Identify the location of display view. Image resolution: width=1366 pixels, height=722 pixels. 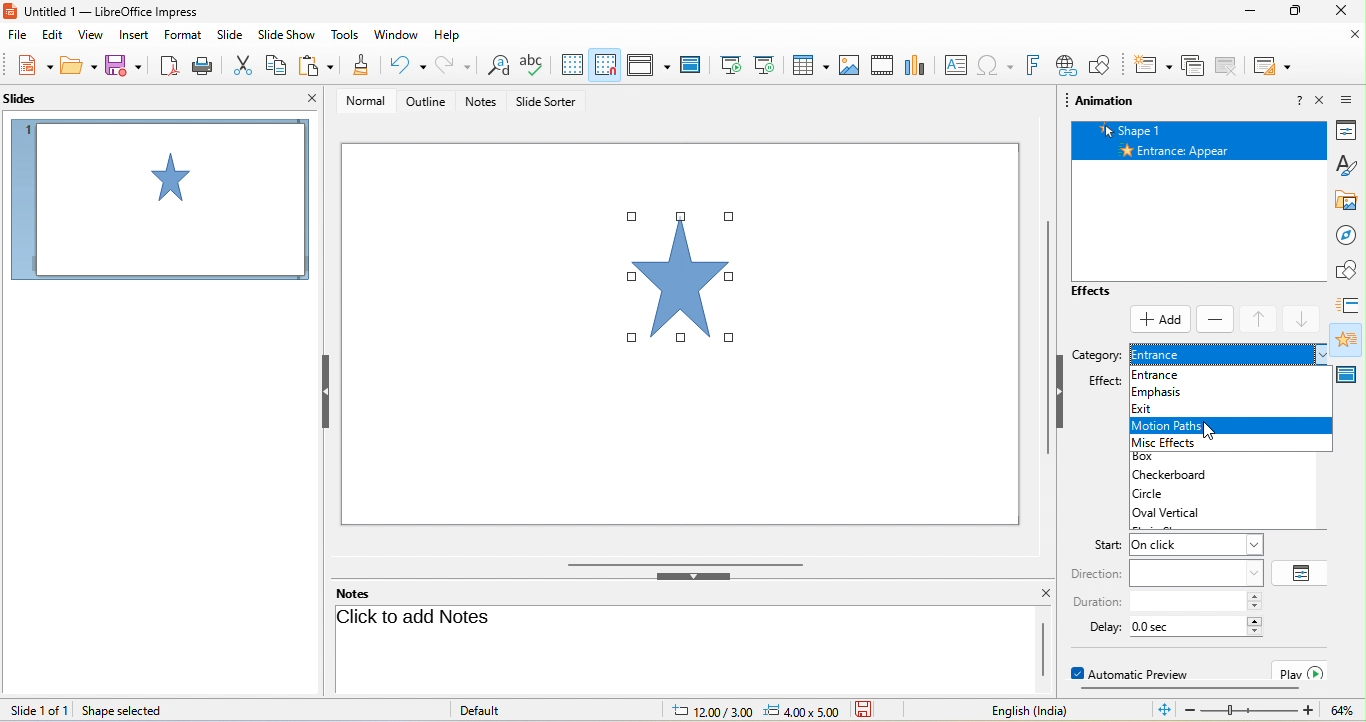
(646, 64).